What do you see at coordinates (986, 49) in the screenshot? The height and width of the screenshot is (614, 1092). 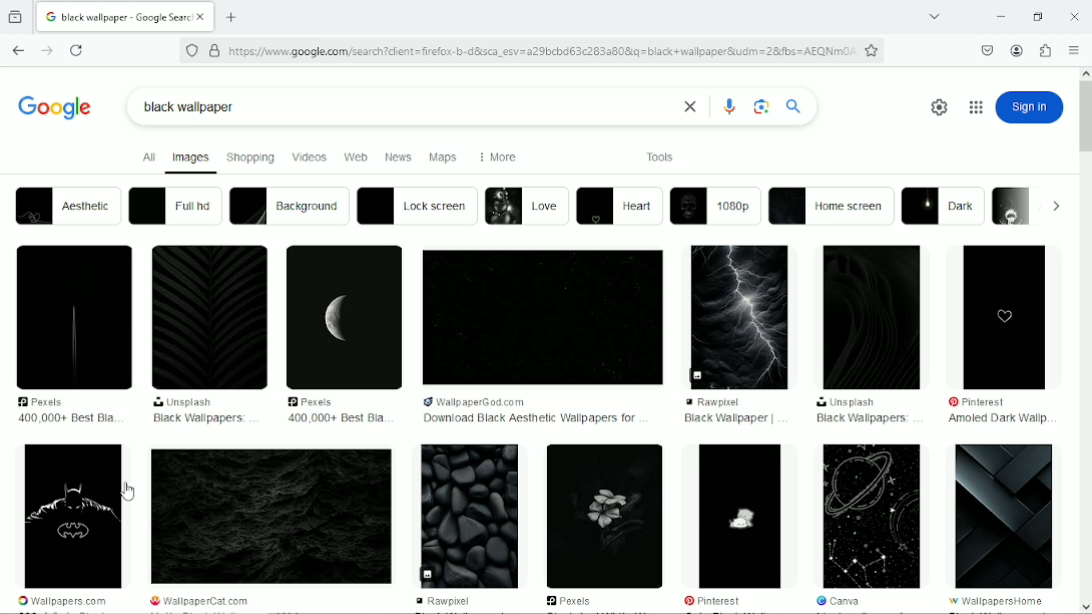 I see `save to pocket` at bounding box center [986, 49].